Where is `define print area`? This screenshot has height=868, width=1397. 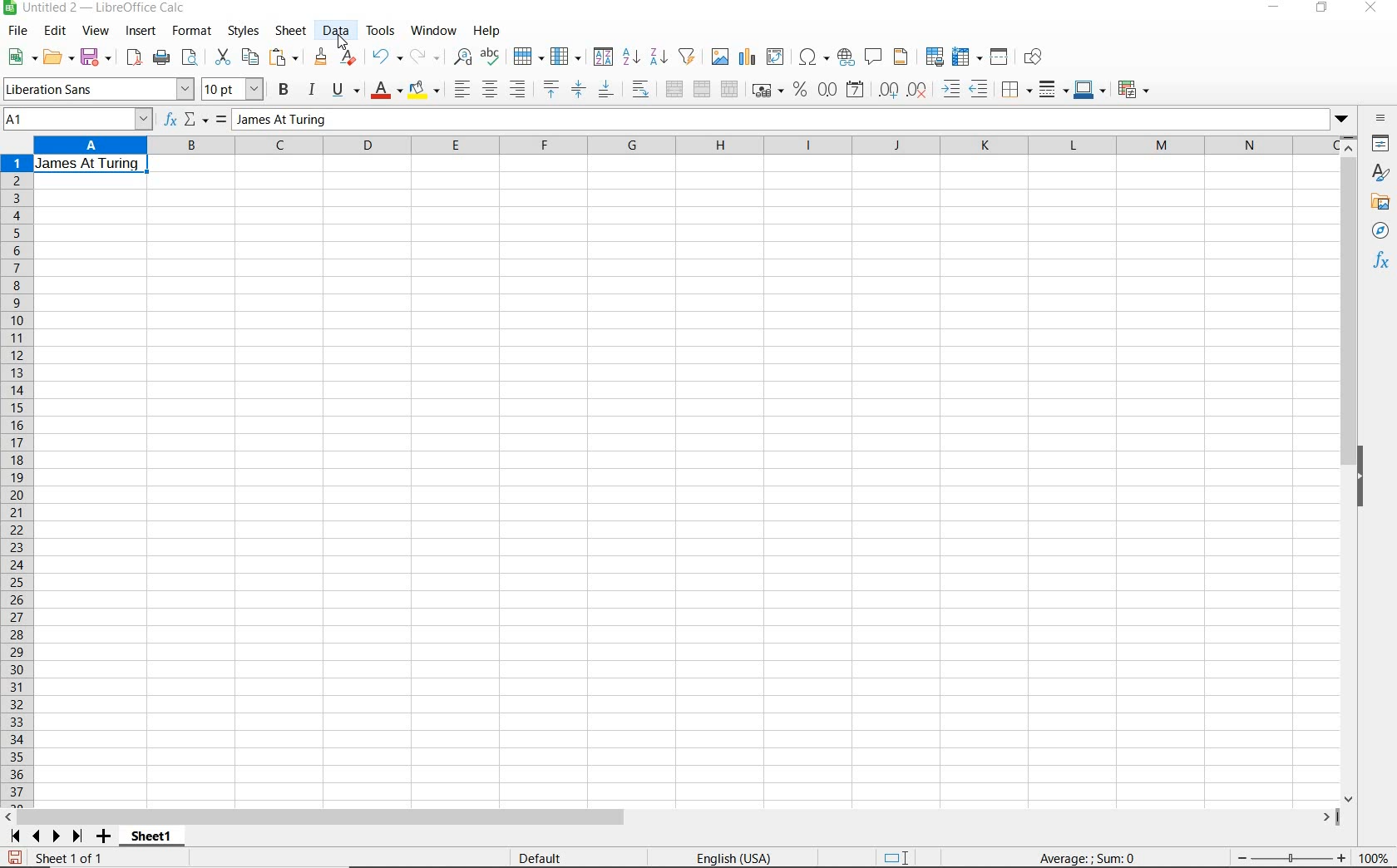 define print area is located at coordinates (933, 57).